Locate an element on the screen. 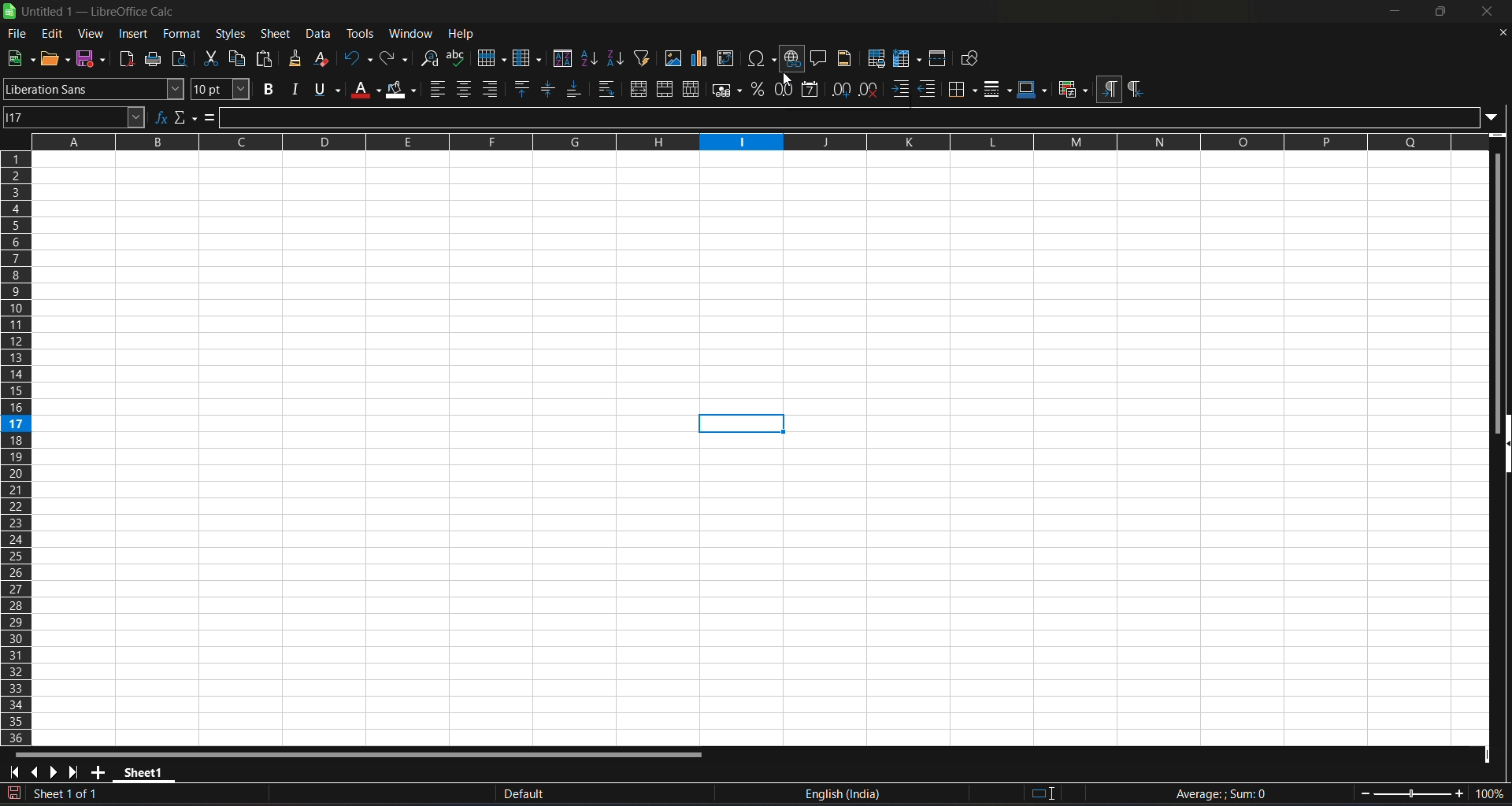 This screenshot has height=806, width=1512. align center is located at coordinates (465, 89).